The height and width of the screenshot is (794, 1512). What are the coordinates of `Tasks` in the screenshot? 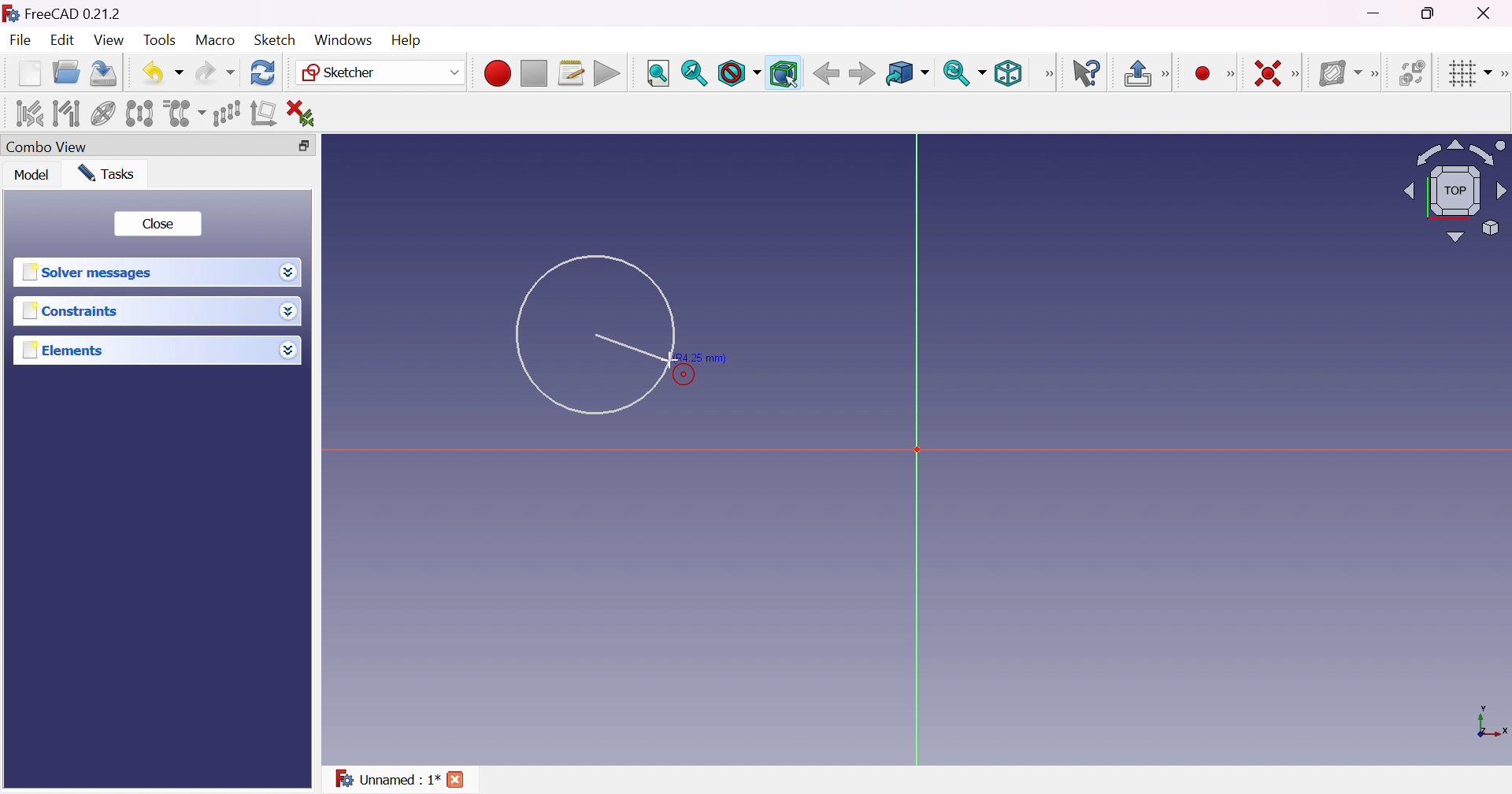 It's located at (107, 173).